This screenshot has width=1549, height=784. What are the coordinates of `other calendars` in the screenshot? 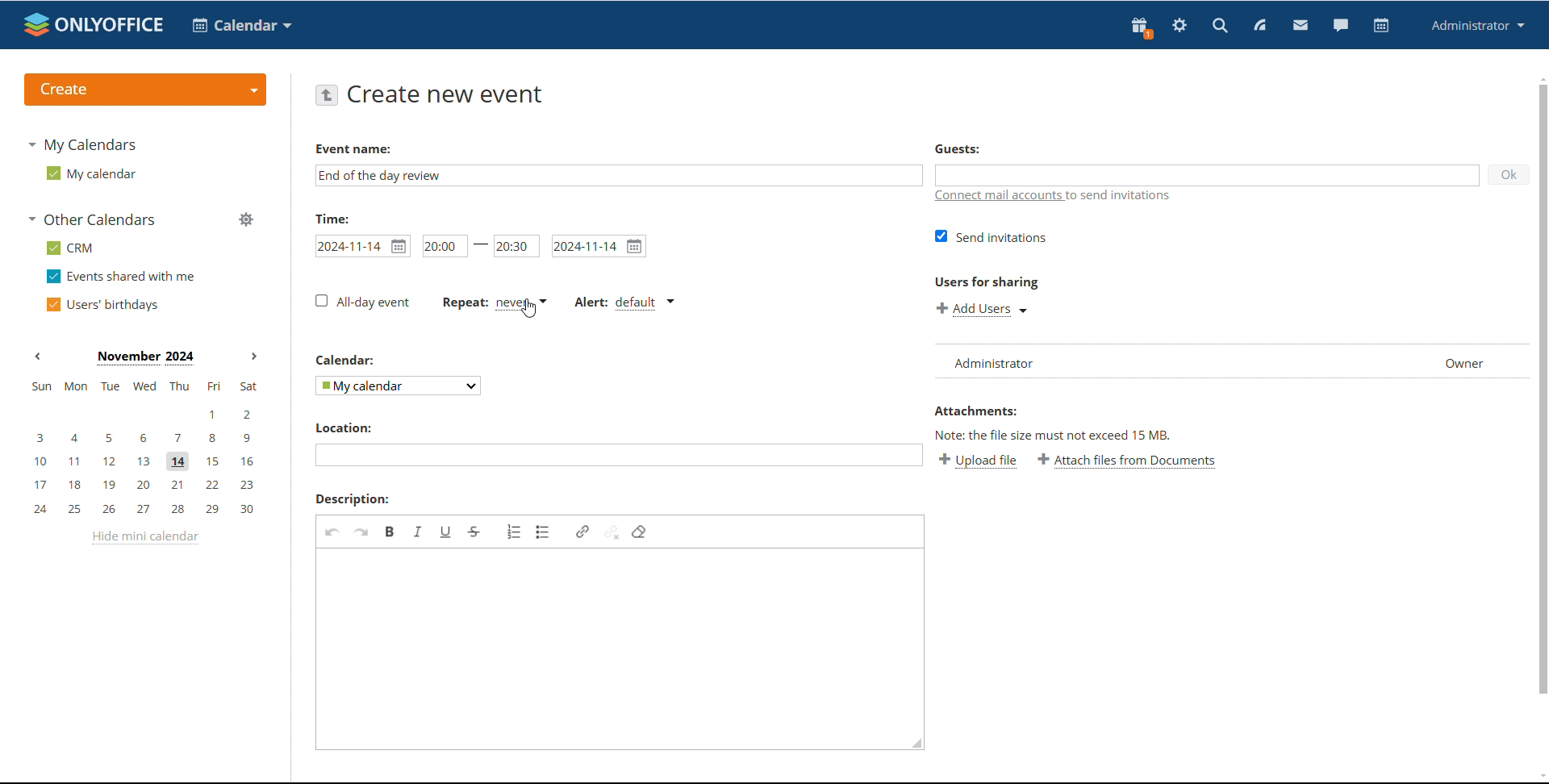 It's located at (94, 219).